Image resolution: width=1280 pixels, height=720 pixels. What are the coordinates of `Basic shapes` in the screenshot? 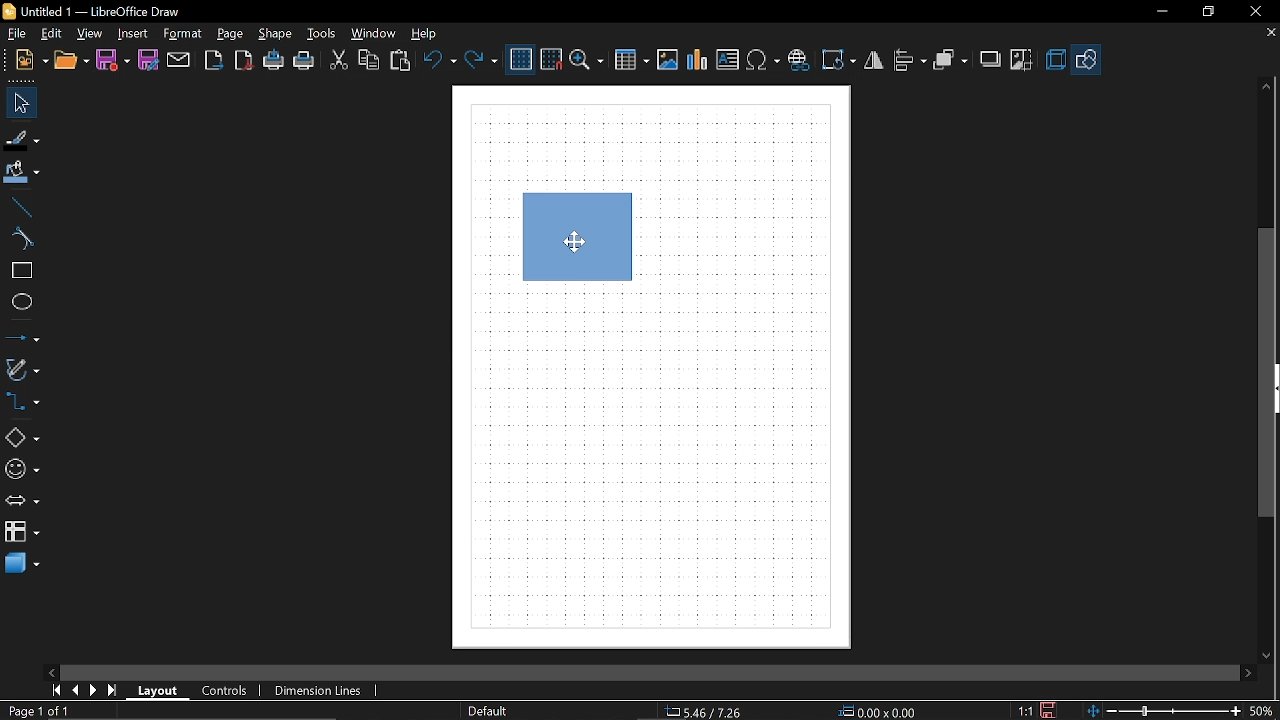 It's located at (1085, 61).